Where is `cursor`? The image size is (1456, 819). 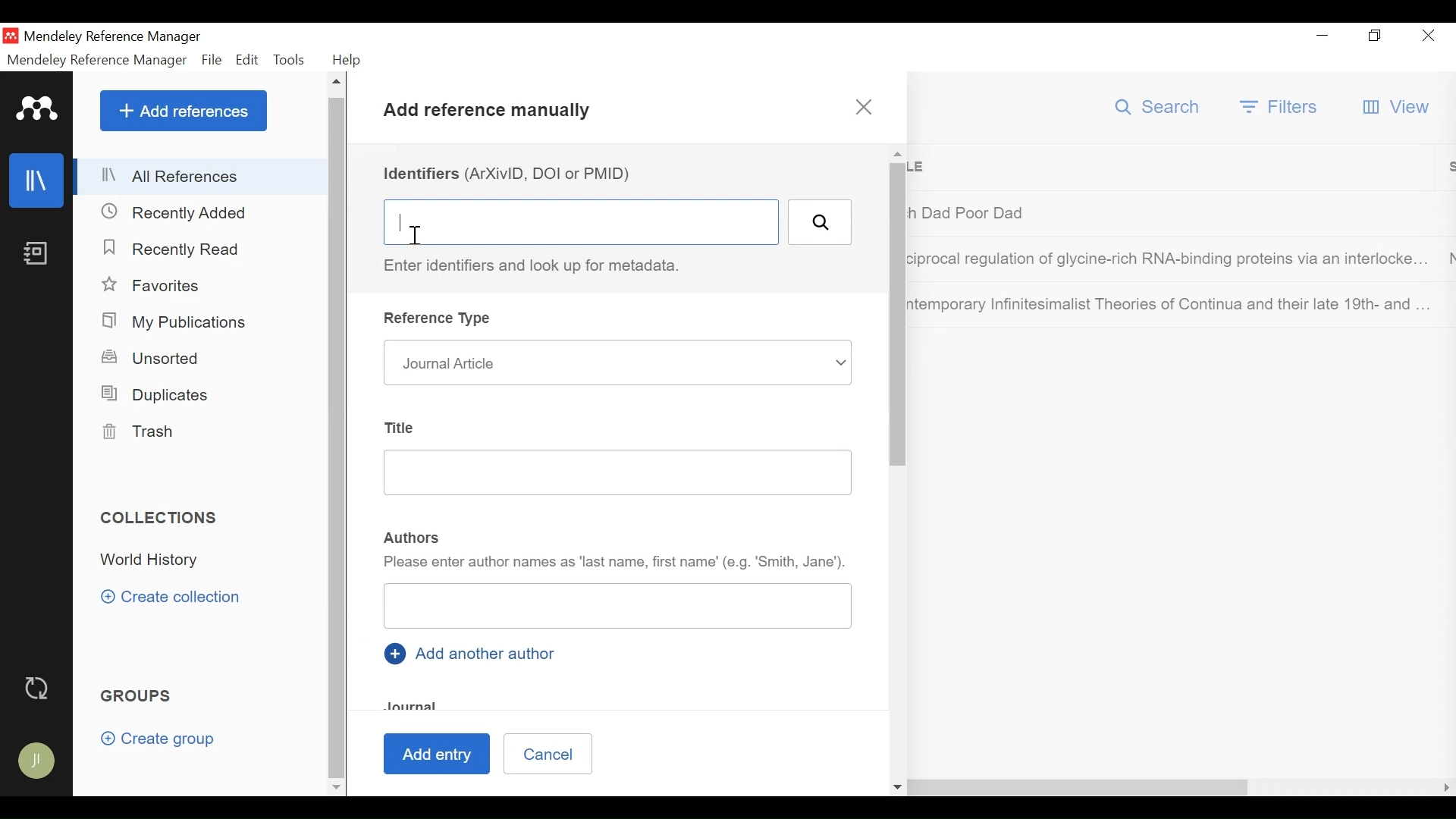
cursor is located at coordinates (422, 237).